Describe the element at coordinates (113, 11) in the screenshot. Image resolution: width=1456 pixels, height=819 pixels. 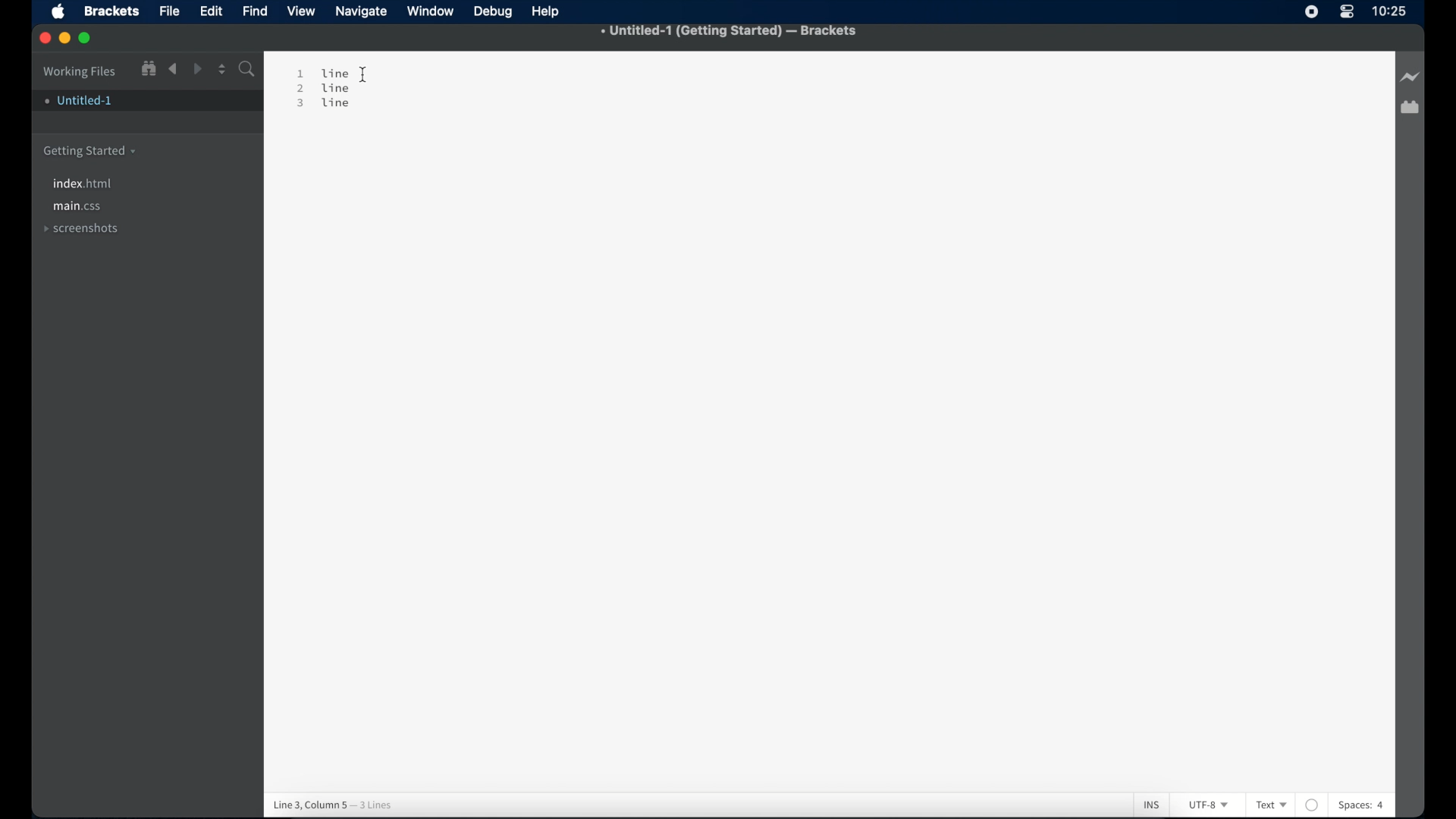
I see `brackets` at that location.